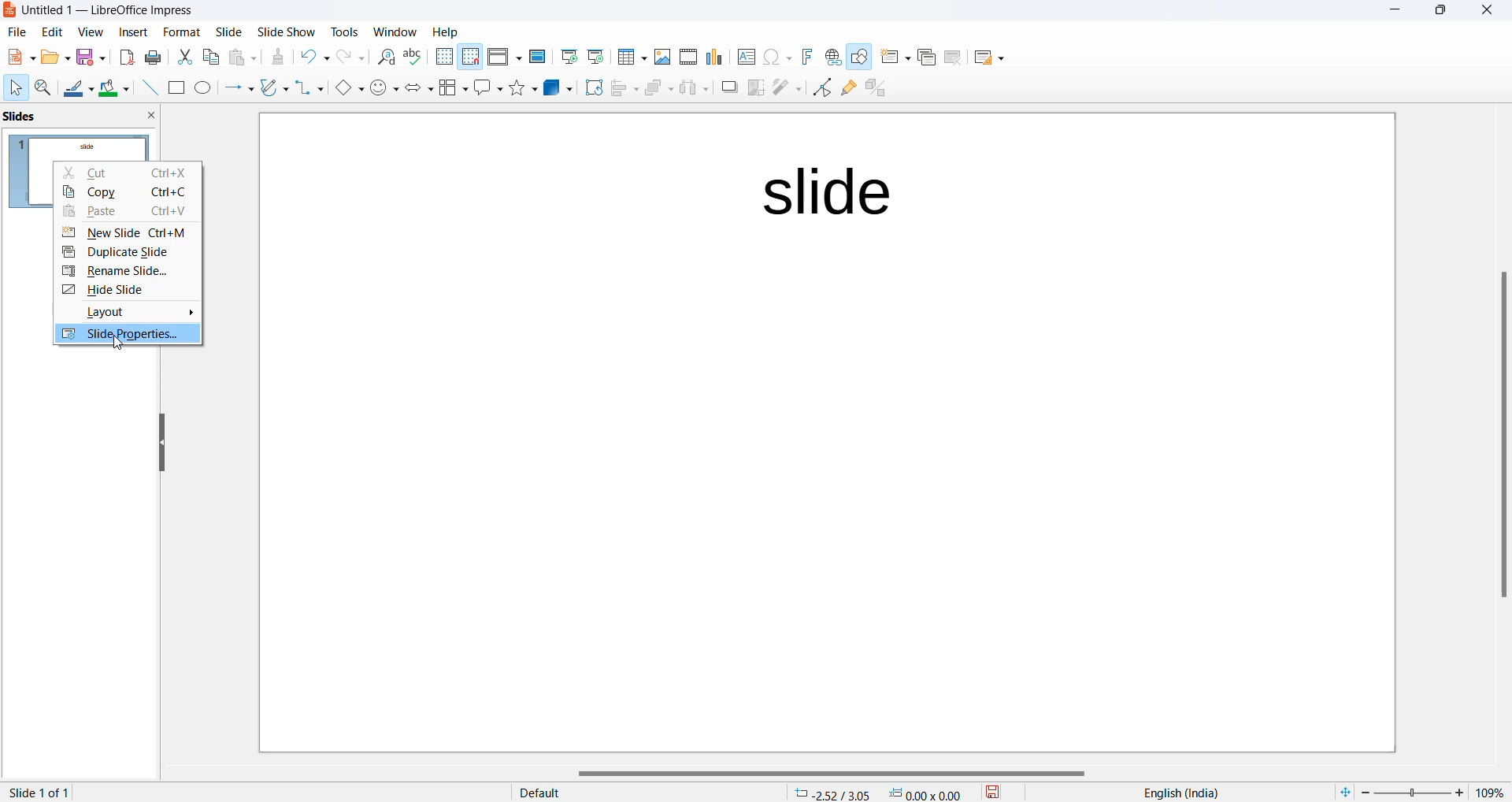 This screenshot has width=1512, height=802. Describe the element at coordinates (317, 59) in the screenshot. I see `undo` at that location.